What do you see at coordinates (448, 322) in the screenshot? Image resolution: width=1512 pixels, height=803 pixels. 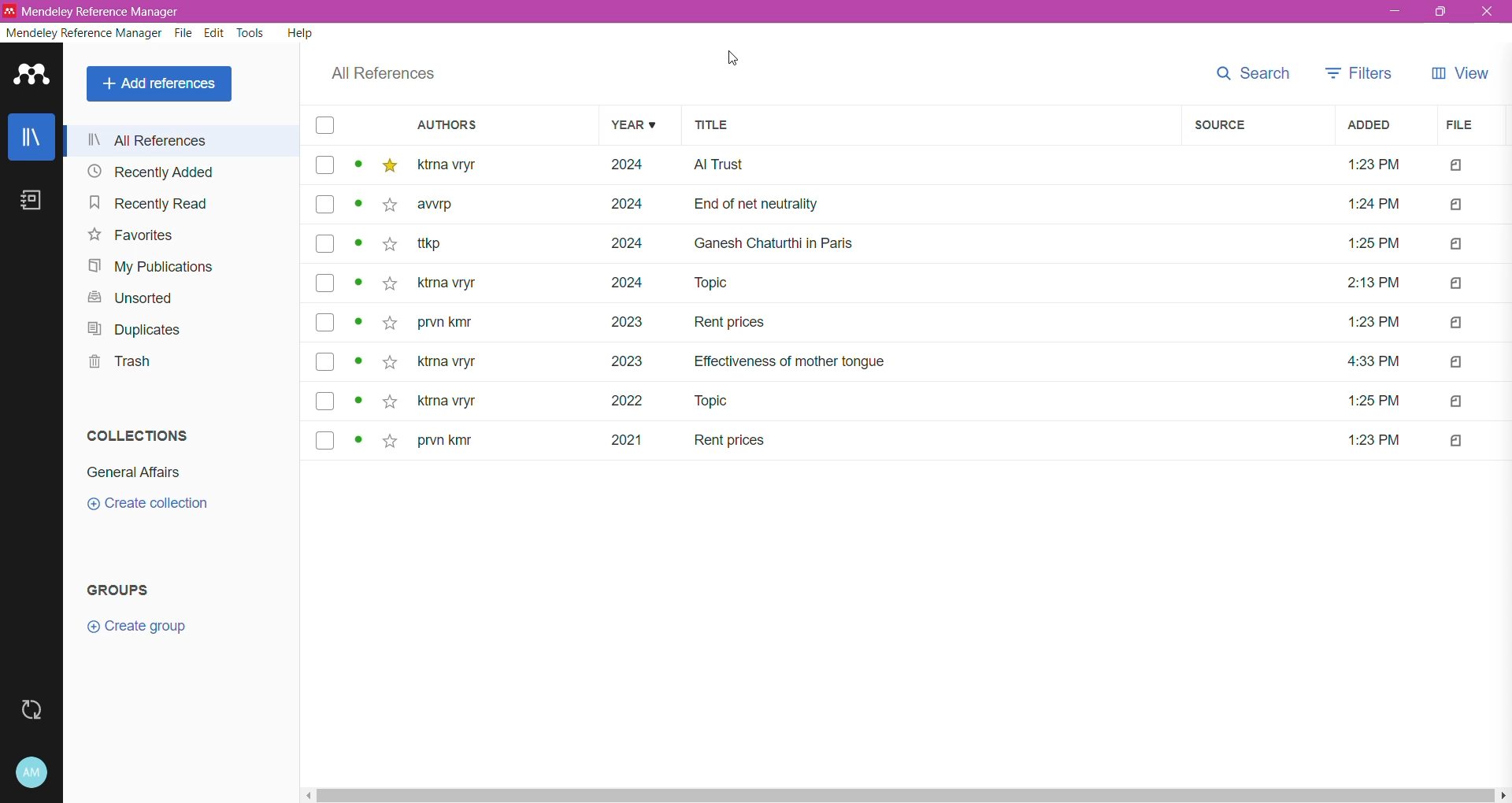 I see `pvrn kmr` at bounding box center [448, 322].